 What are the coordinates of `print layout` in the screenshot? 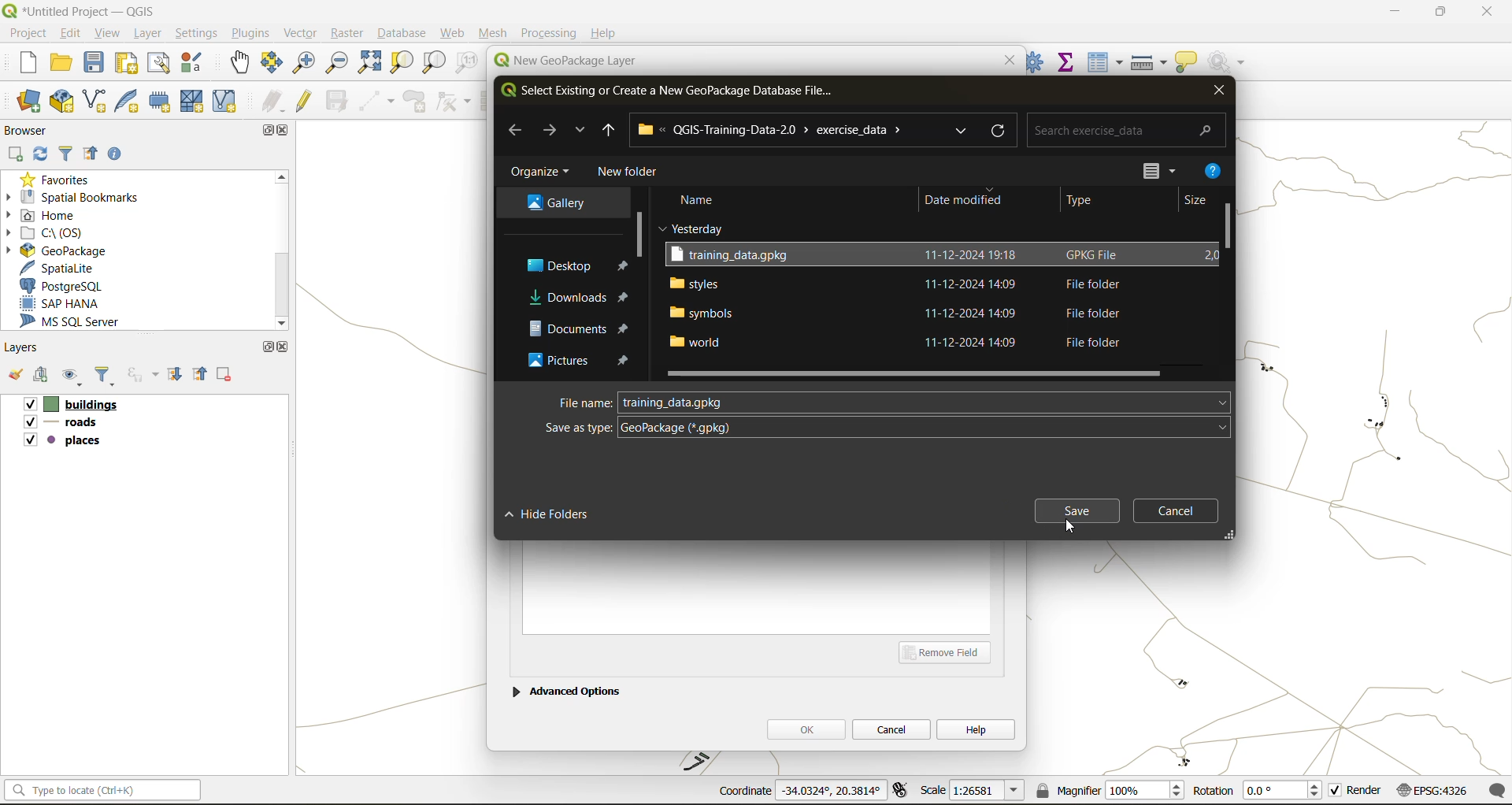 It's located at (128, 65).